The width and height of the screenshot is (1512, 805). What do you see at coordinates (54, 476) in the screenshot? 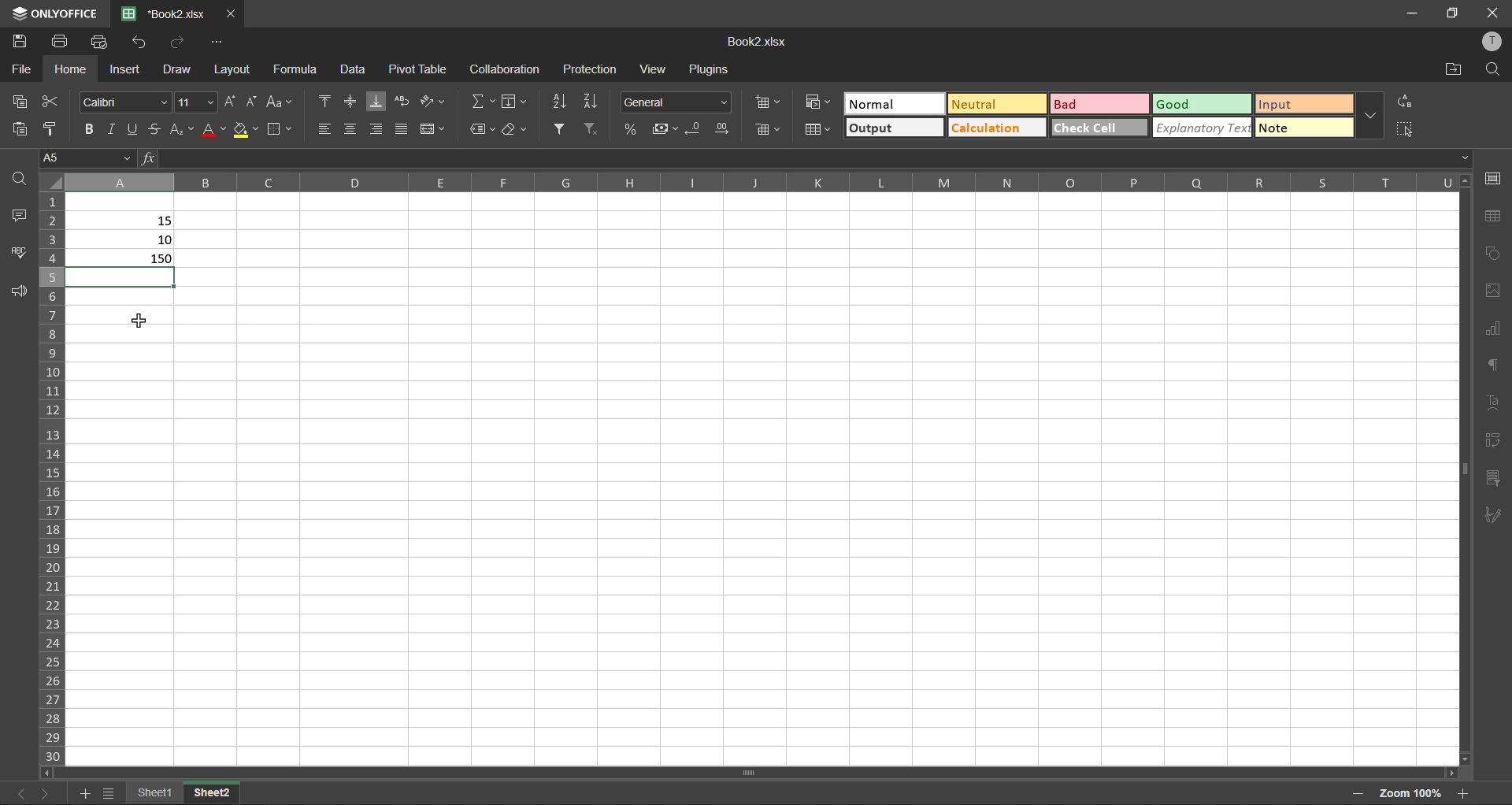
I see `row numbers` at bounding box center [54, 476].